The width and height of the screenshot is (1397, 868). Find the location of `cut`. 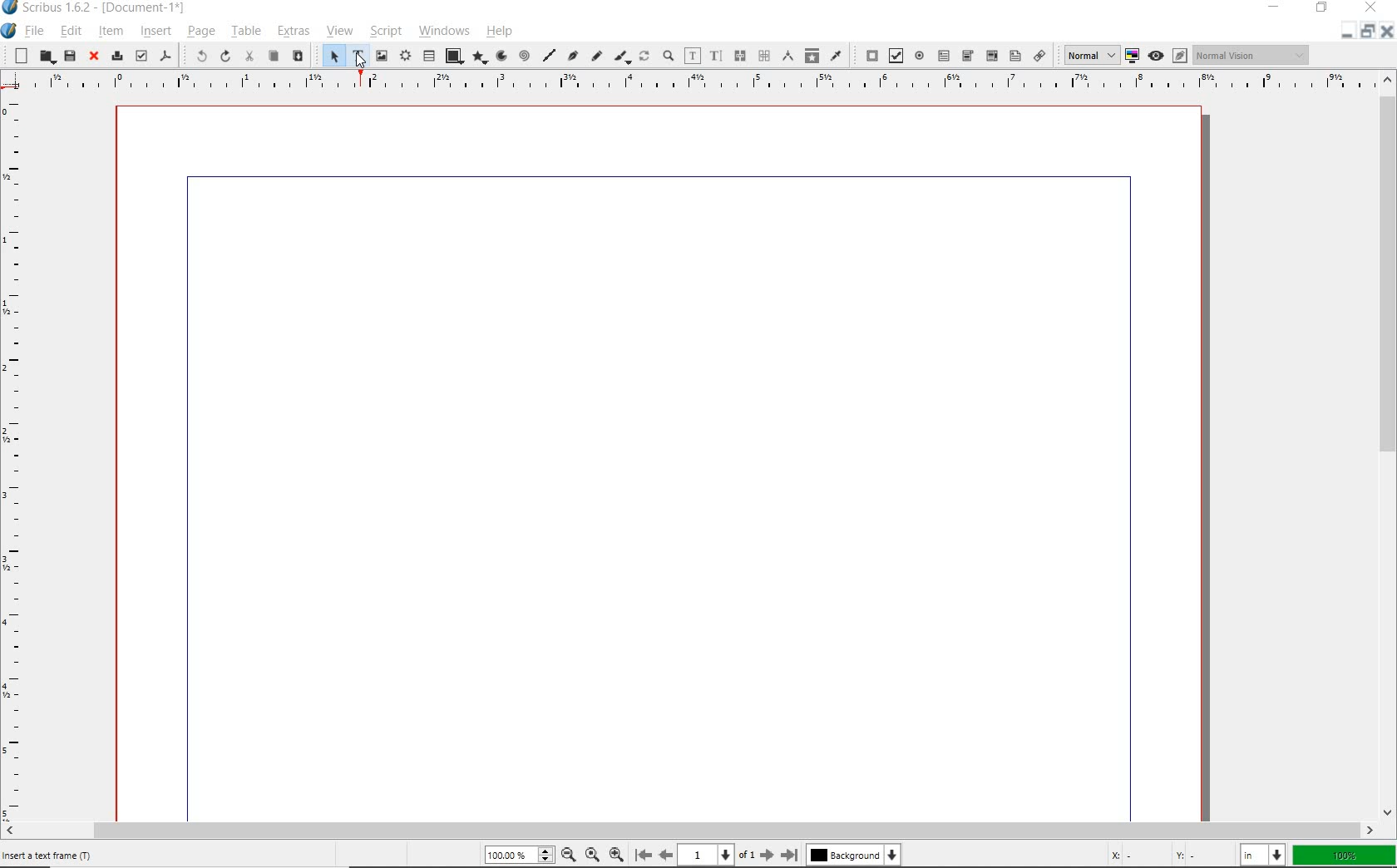

cut is located at coordinates (249, 56).